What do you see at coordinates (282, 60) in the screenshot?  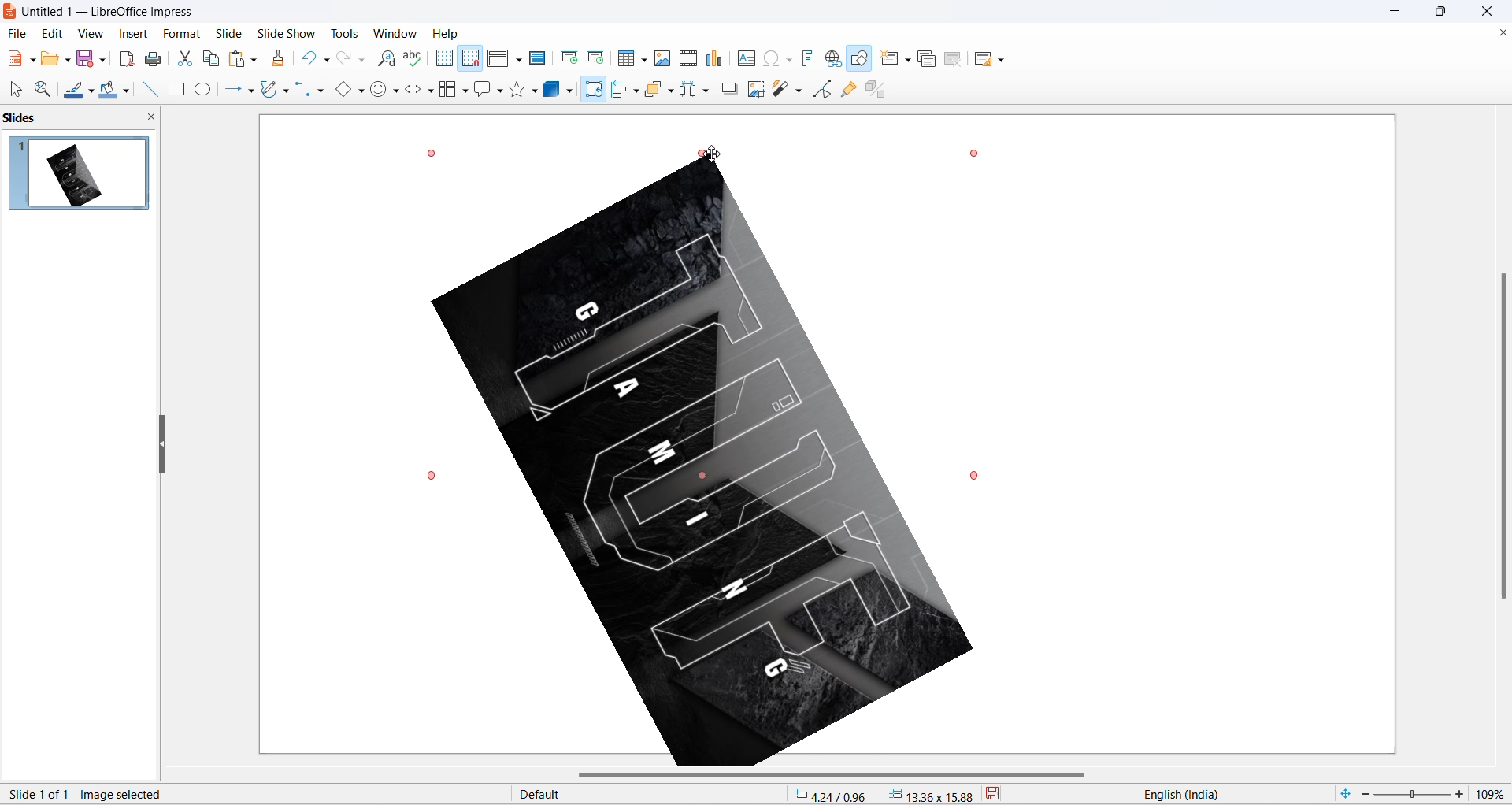 I see `clone formatting` at bounding box center [282, 60].